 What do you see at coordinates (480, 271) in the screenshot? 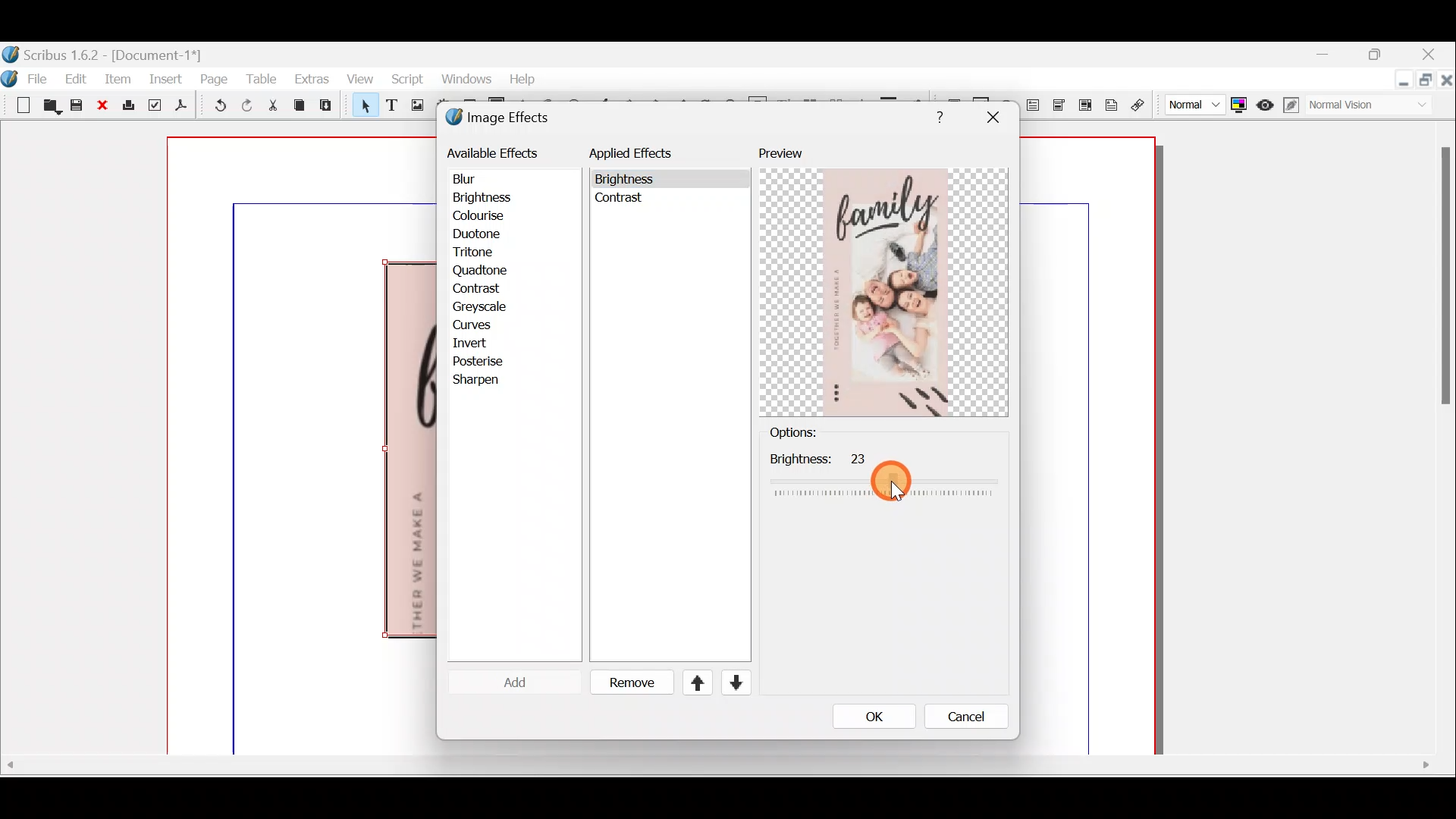
I see `Quatone` at bounding box center [480, 271].